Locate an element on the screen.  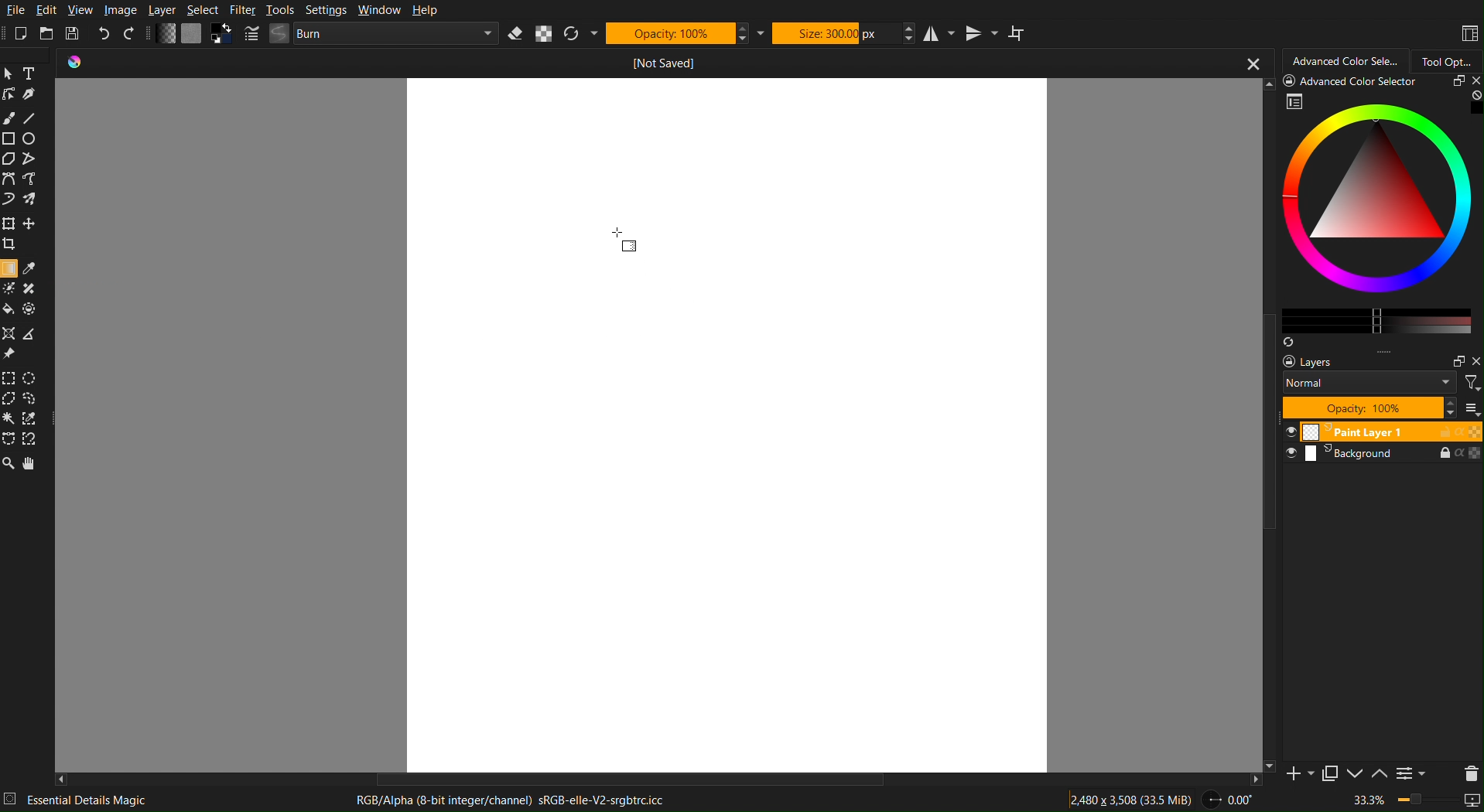
Open is located at coordinates (48, 34).